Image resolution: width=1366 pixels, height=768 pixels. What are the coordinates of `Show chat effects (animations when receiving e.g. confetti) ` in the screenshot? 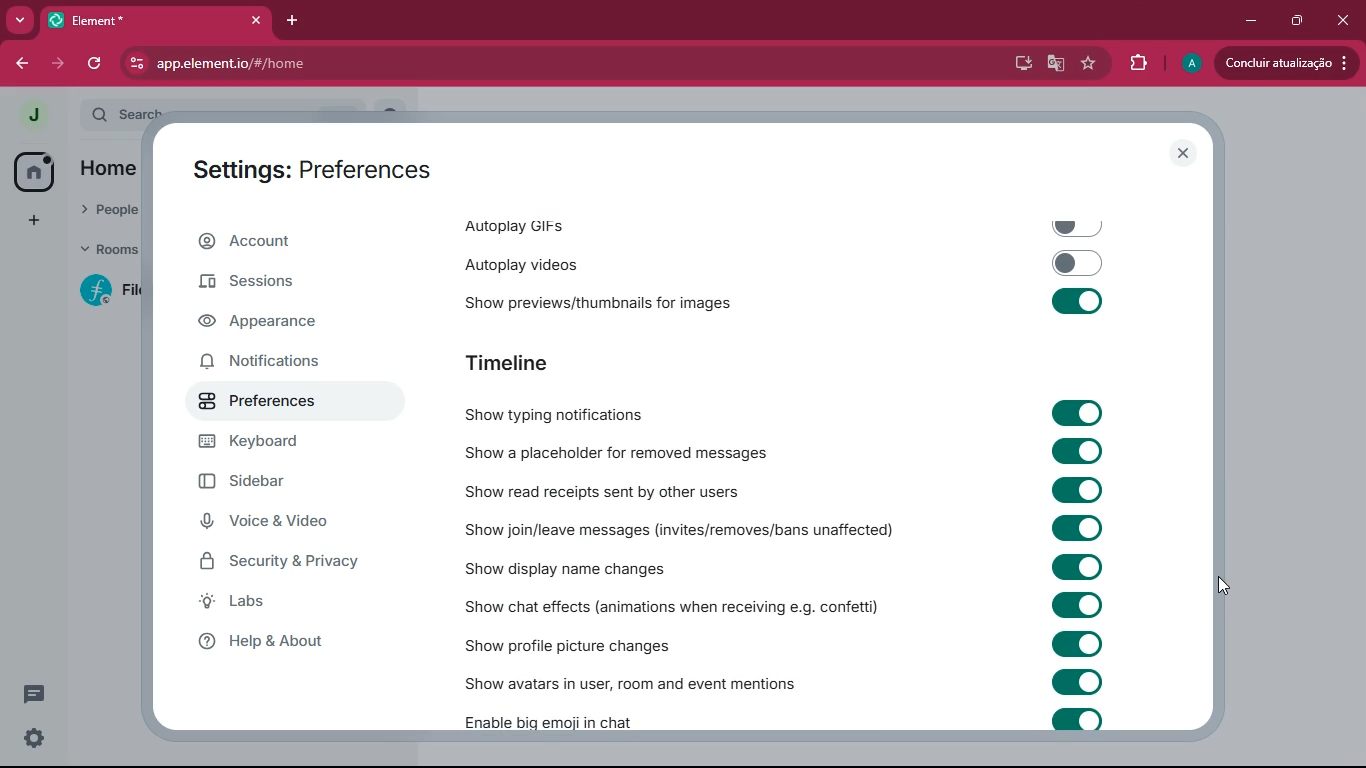 It's located at (793, 608).